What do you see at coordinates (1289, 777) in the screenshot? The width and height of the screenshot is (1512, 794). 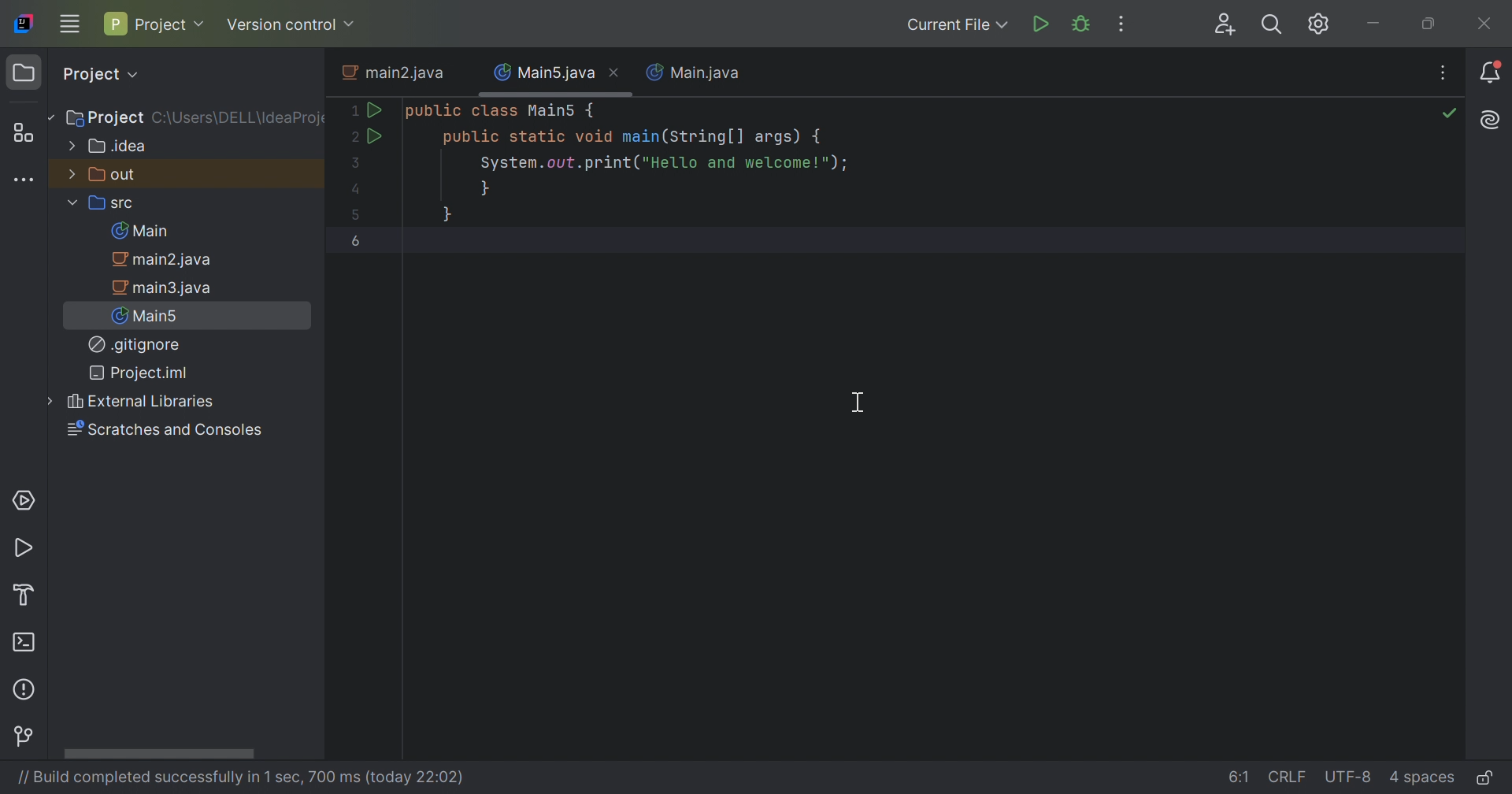 I see `line separation: \r\n` at bounding box center [1289, 777].